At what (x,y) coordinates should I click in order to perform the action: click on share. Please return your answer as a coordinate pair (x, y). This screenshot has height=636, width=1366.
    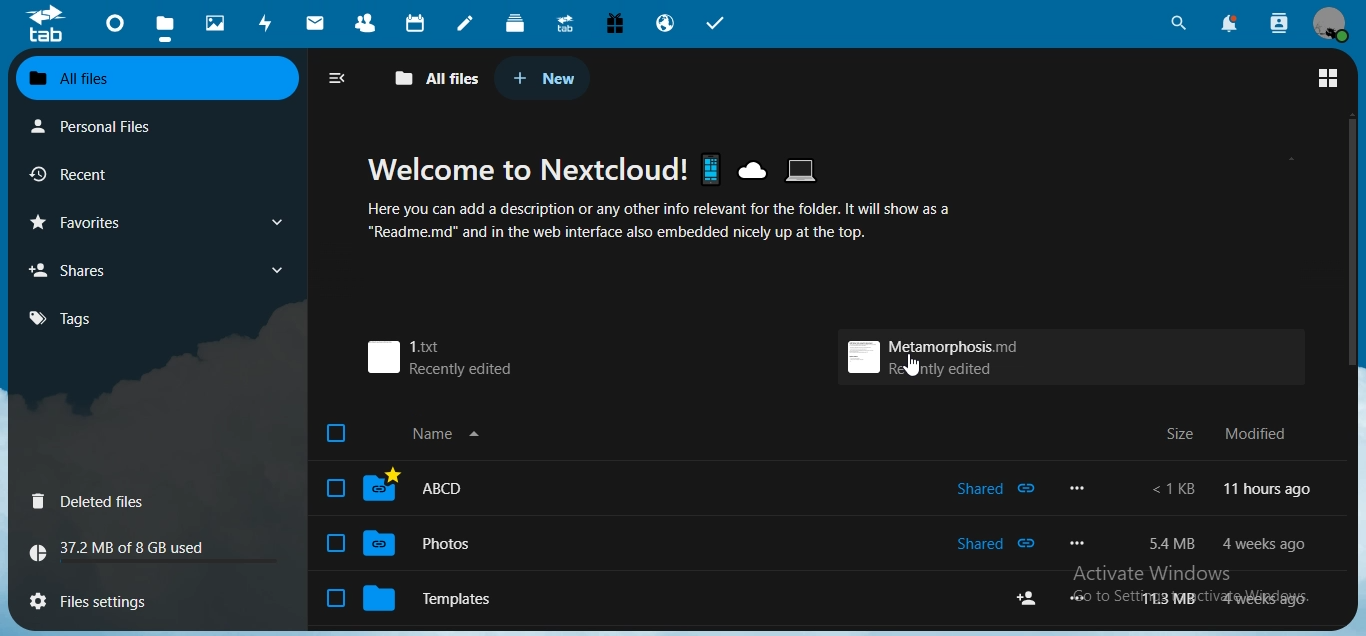
    Looking at the image, I should click on (1024, 600).